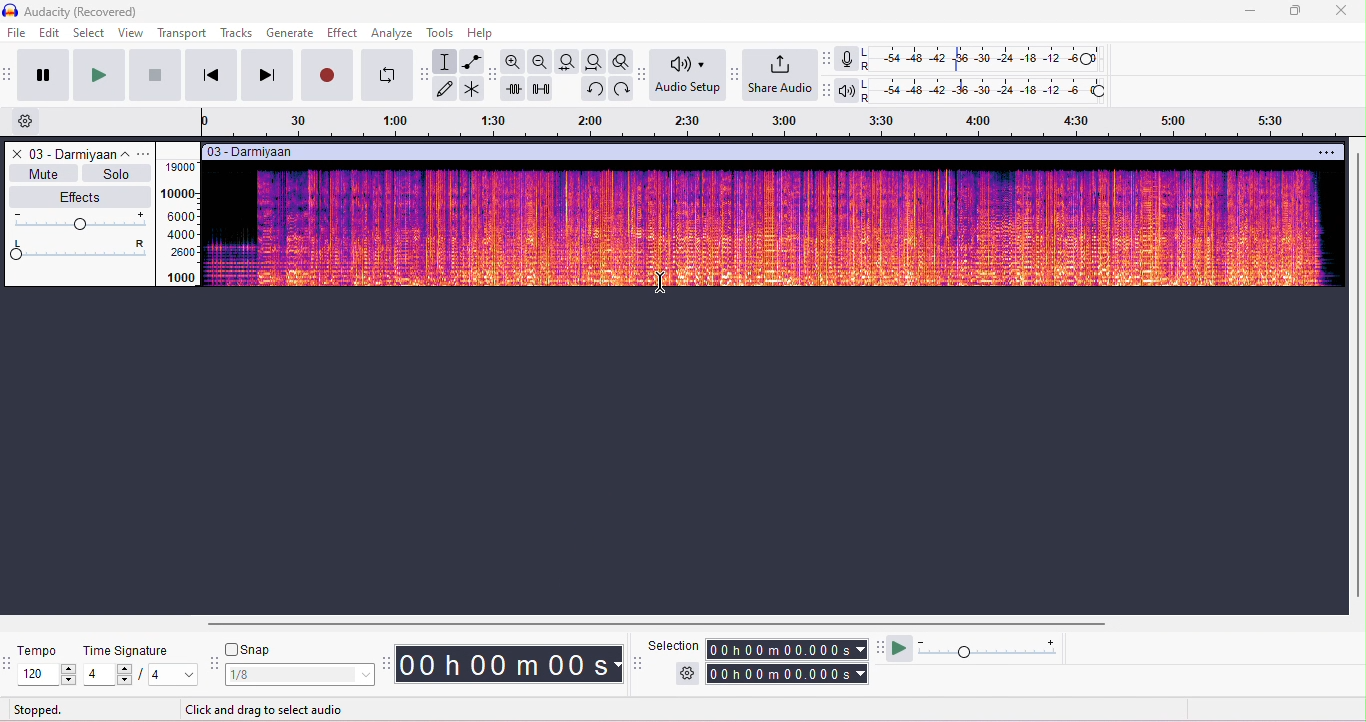  Describe the element at coordinates (250, 651) in the screenshot. I see `snap` at that location.